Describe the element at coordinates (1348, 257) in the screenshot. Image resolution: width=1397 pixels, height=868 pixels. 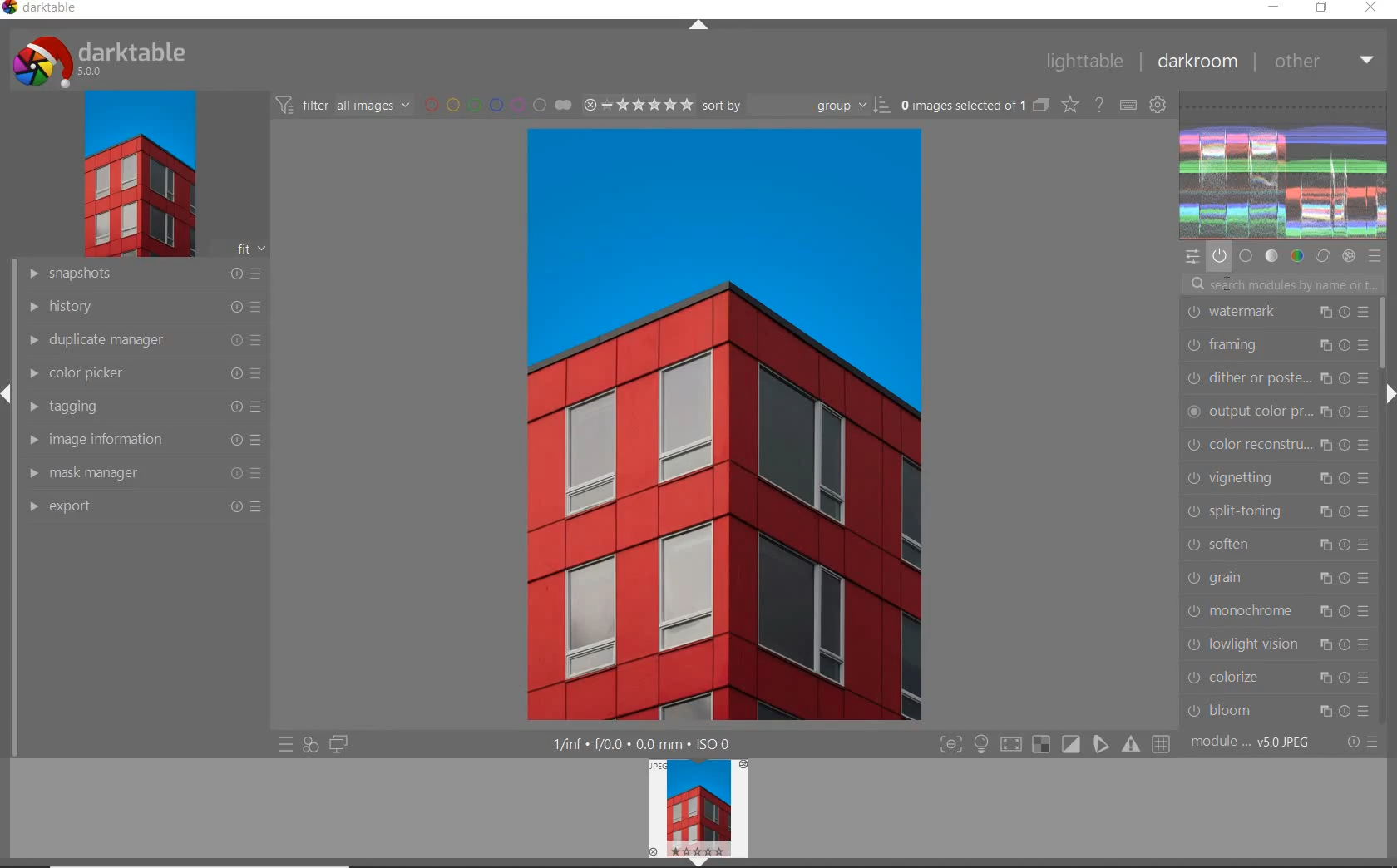
I see `effect` at that location.